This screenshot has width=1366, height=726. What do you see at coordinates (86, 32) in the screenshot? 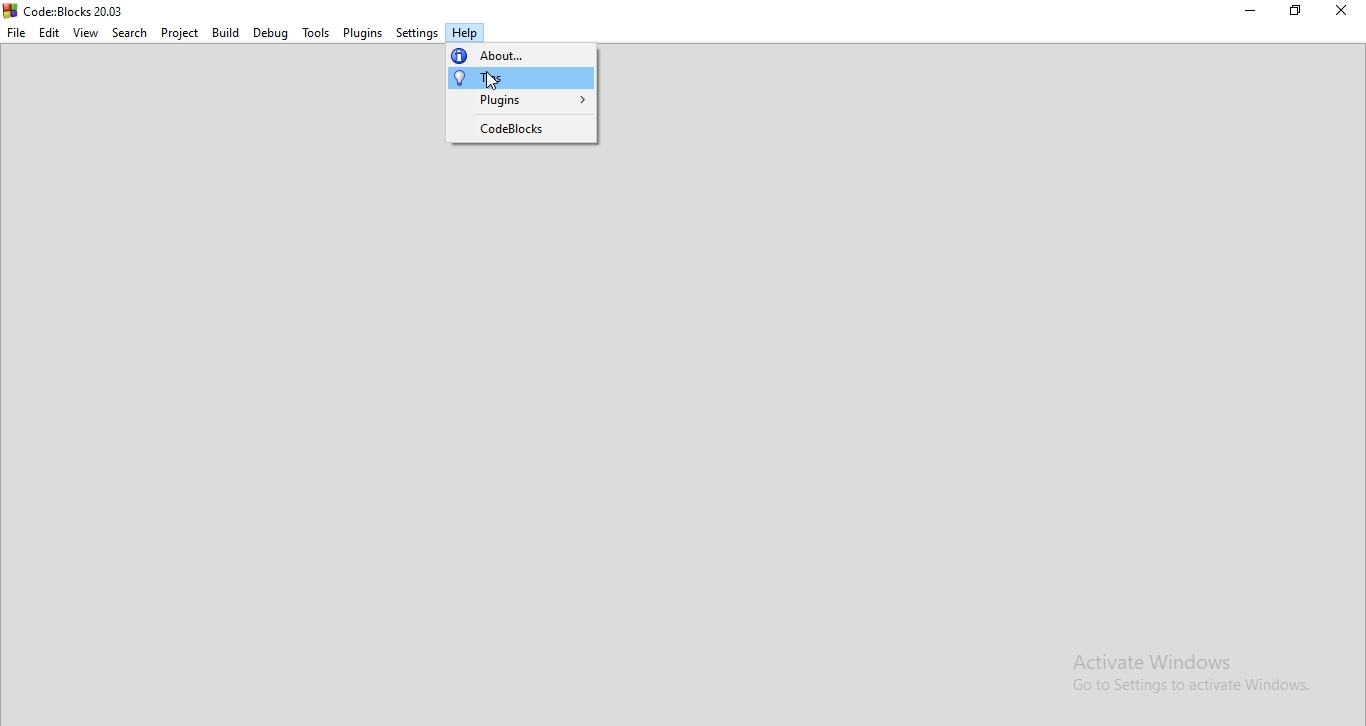
I see `View ` at bounding box center [86, 32].